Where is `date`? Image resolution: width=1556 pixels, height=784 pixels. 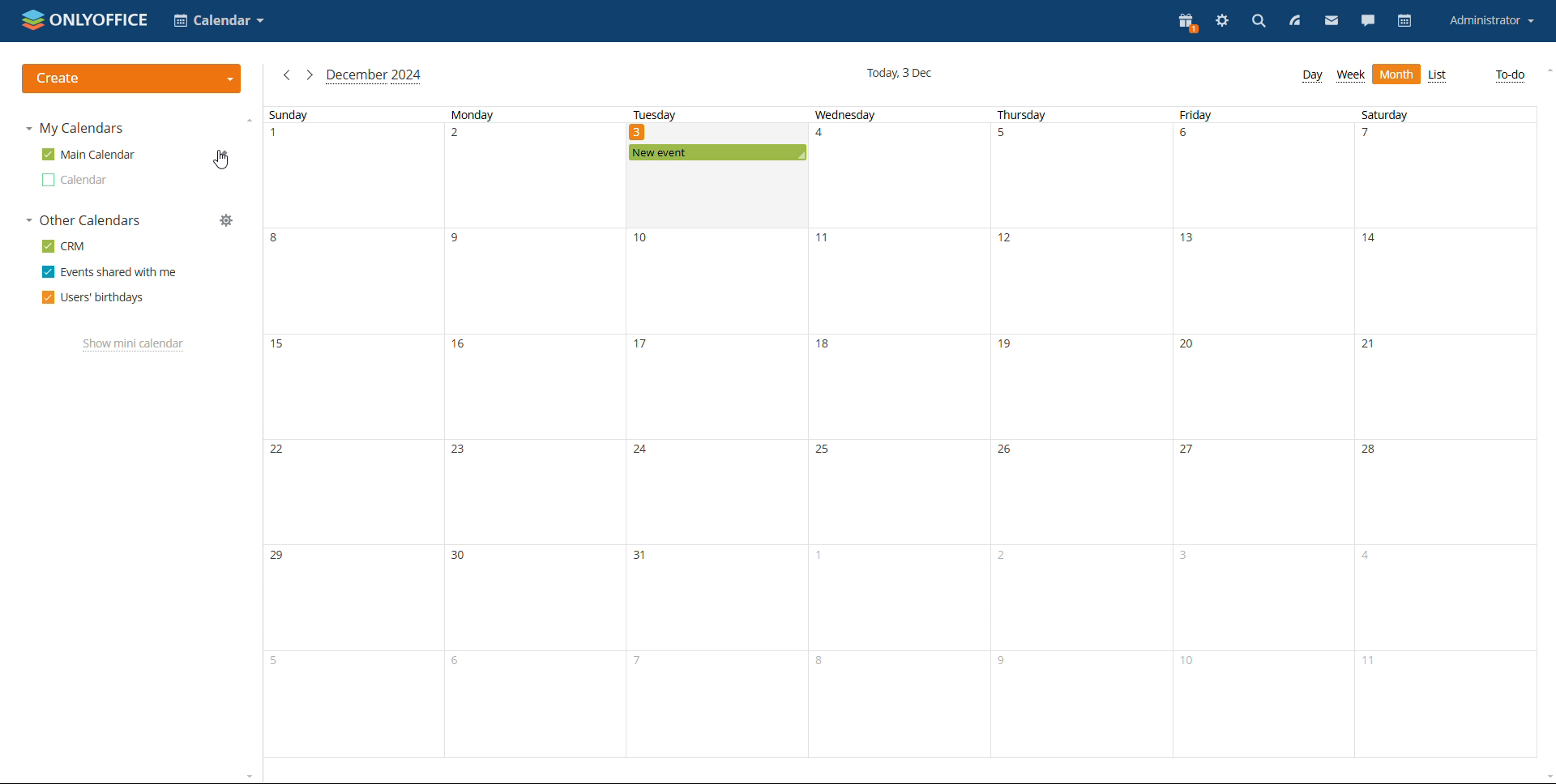
date is located at coordinates (533, 597).